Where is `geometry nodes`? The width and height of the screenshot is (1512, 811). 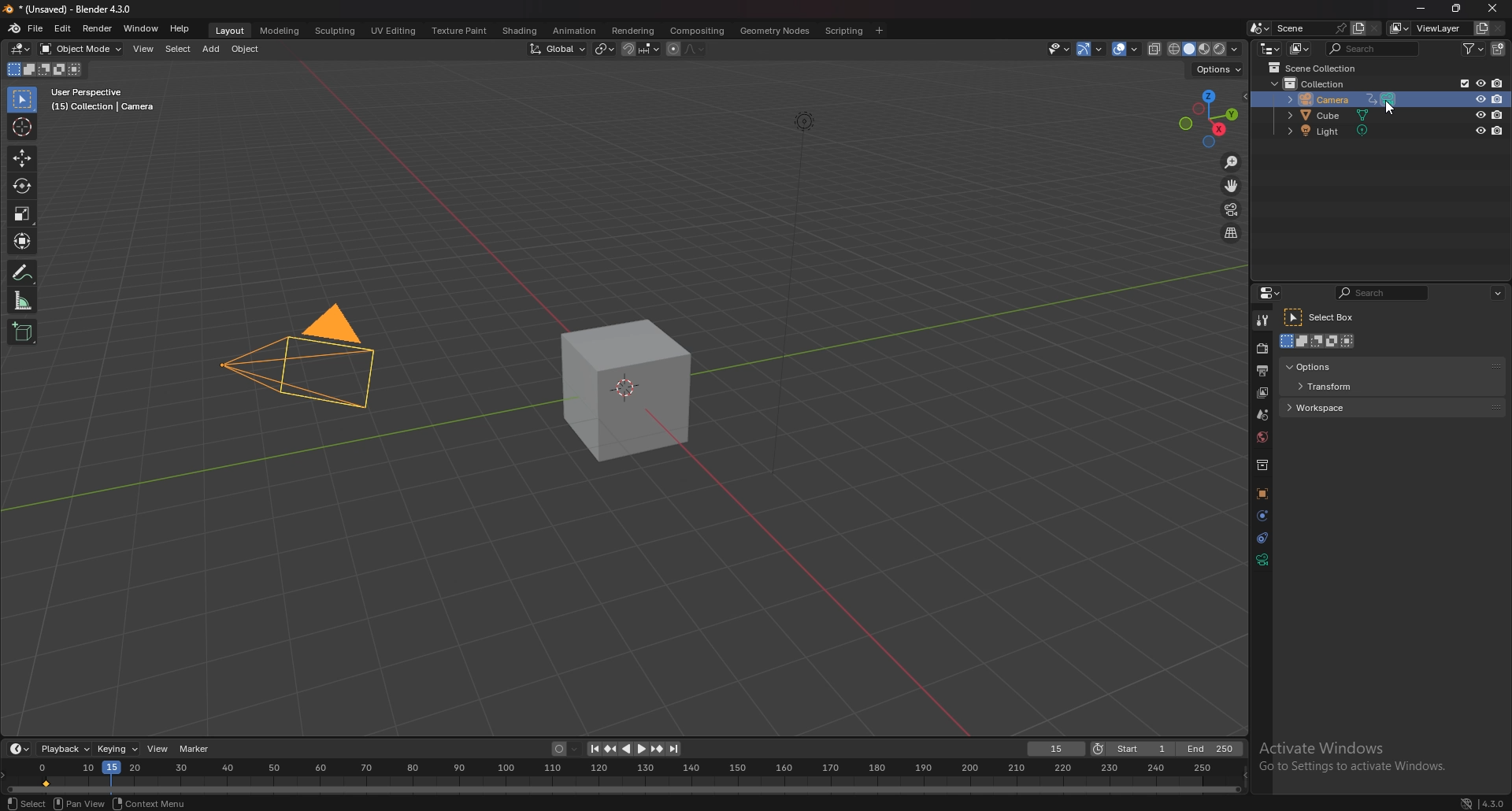
geometry nodes is located at coordinates (773, 30).